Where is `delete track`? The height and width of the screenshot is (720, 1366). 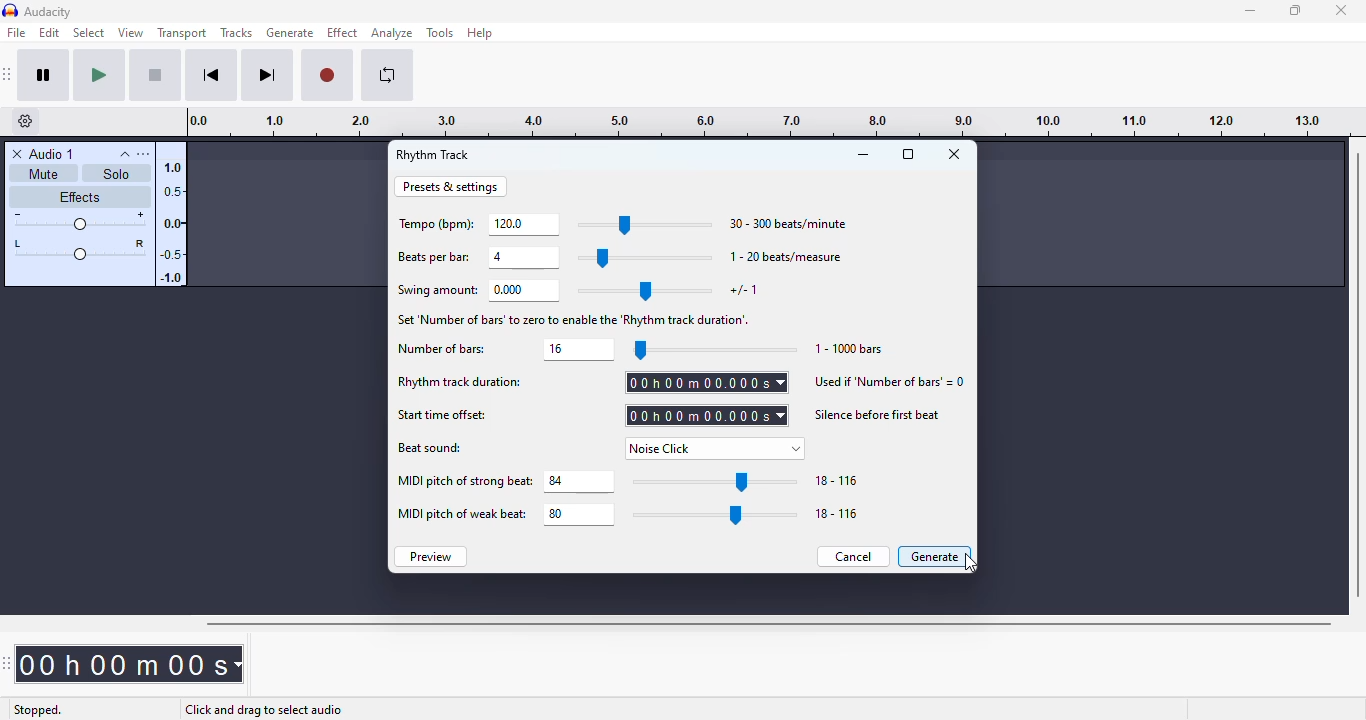
delete track is located at coordinates (17, 154).